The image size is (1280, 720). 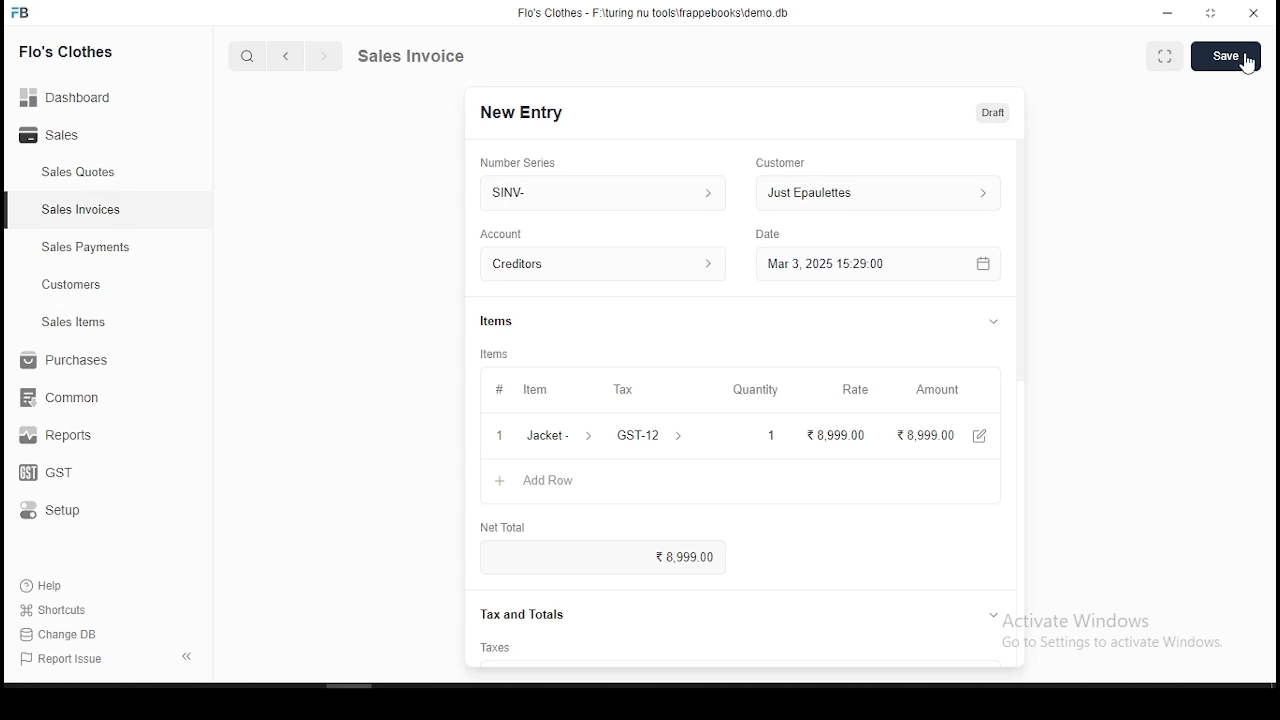 I want to click on SQUOT-1001, so click(x=540, y=109).